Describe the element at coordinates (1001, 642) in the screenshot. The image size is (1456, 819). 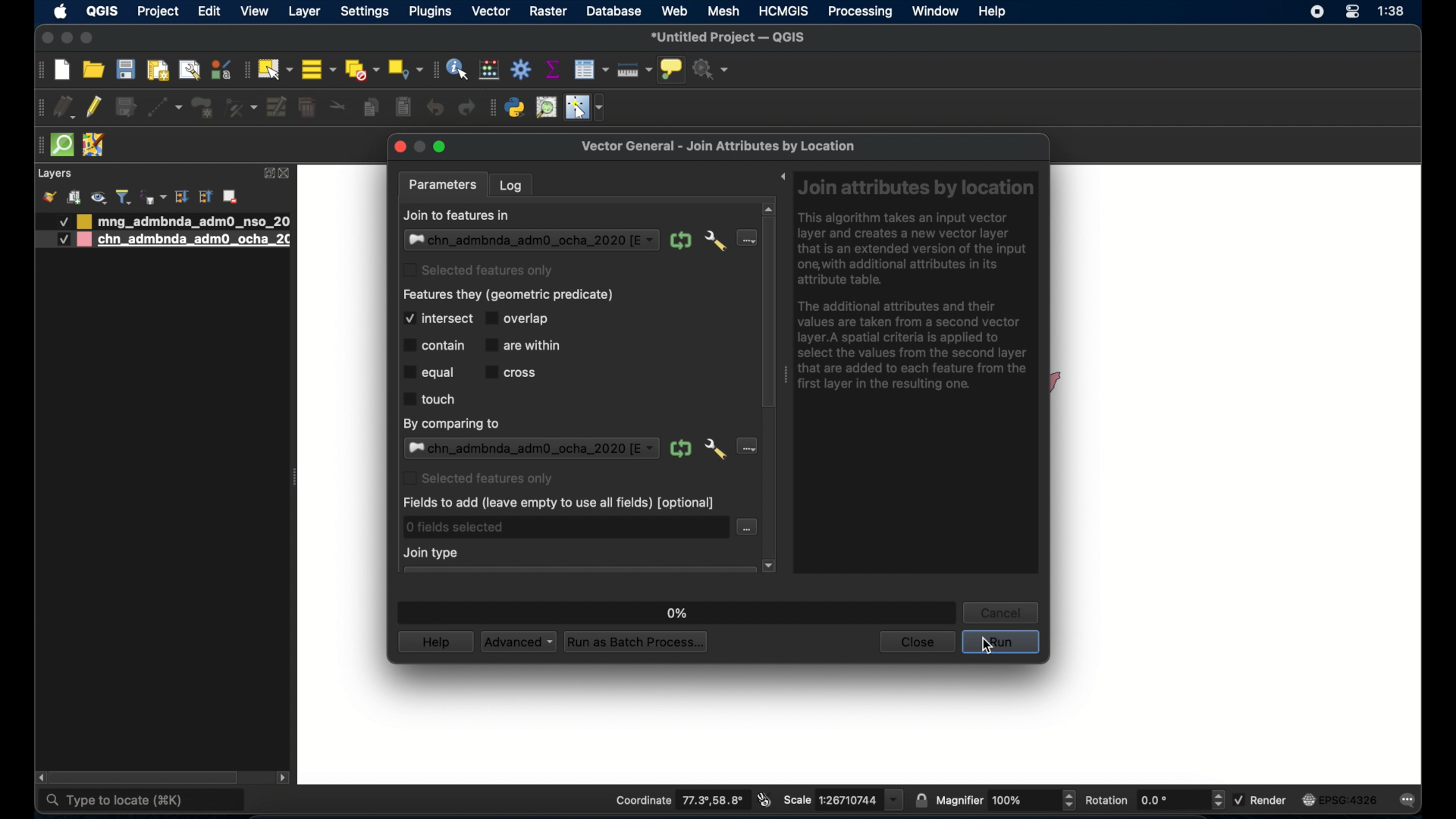
I see `run` at that location.